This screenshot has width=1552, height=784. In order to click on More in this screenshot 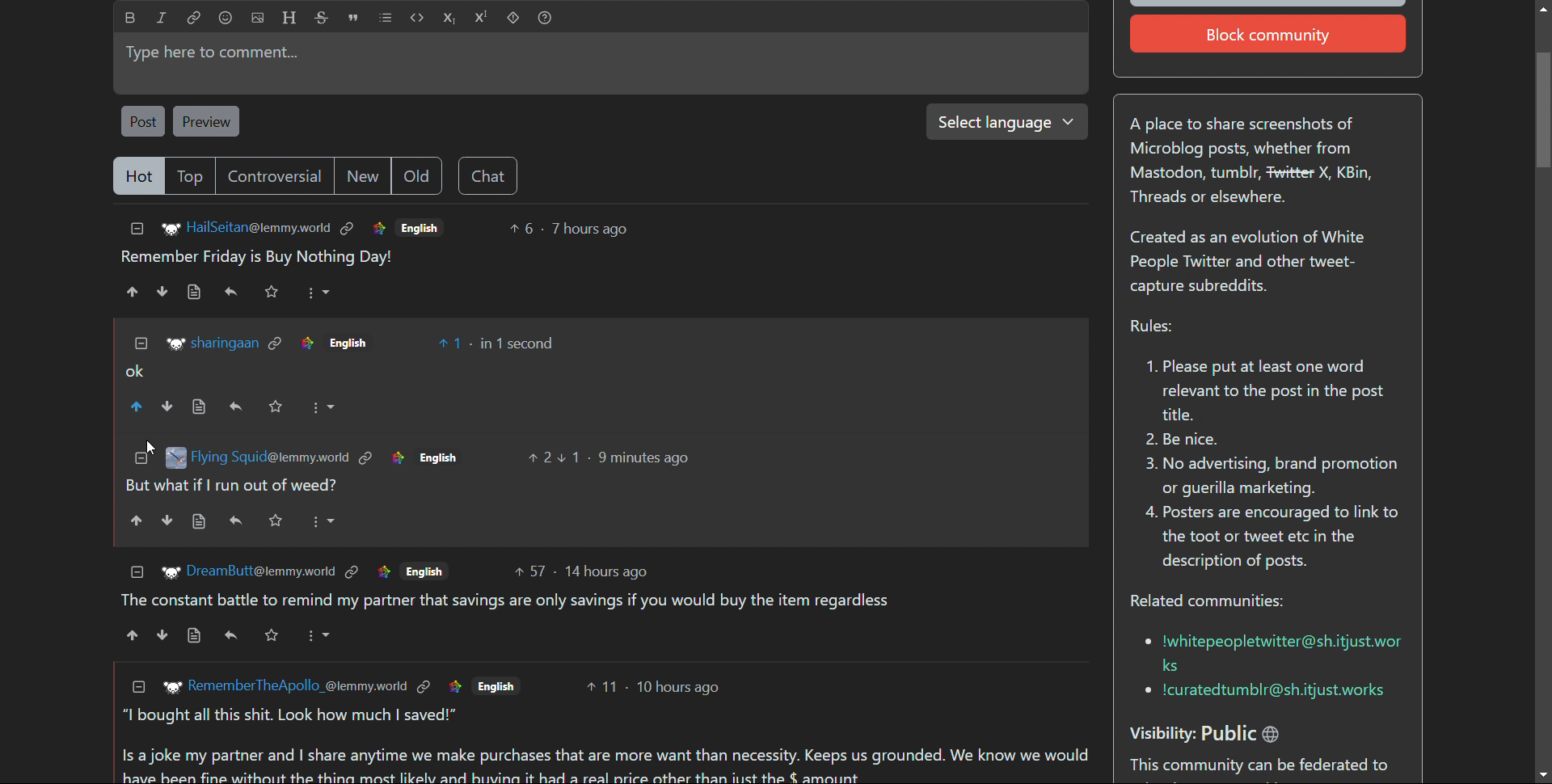, I will do `click(331, 637)`.